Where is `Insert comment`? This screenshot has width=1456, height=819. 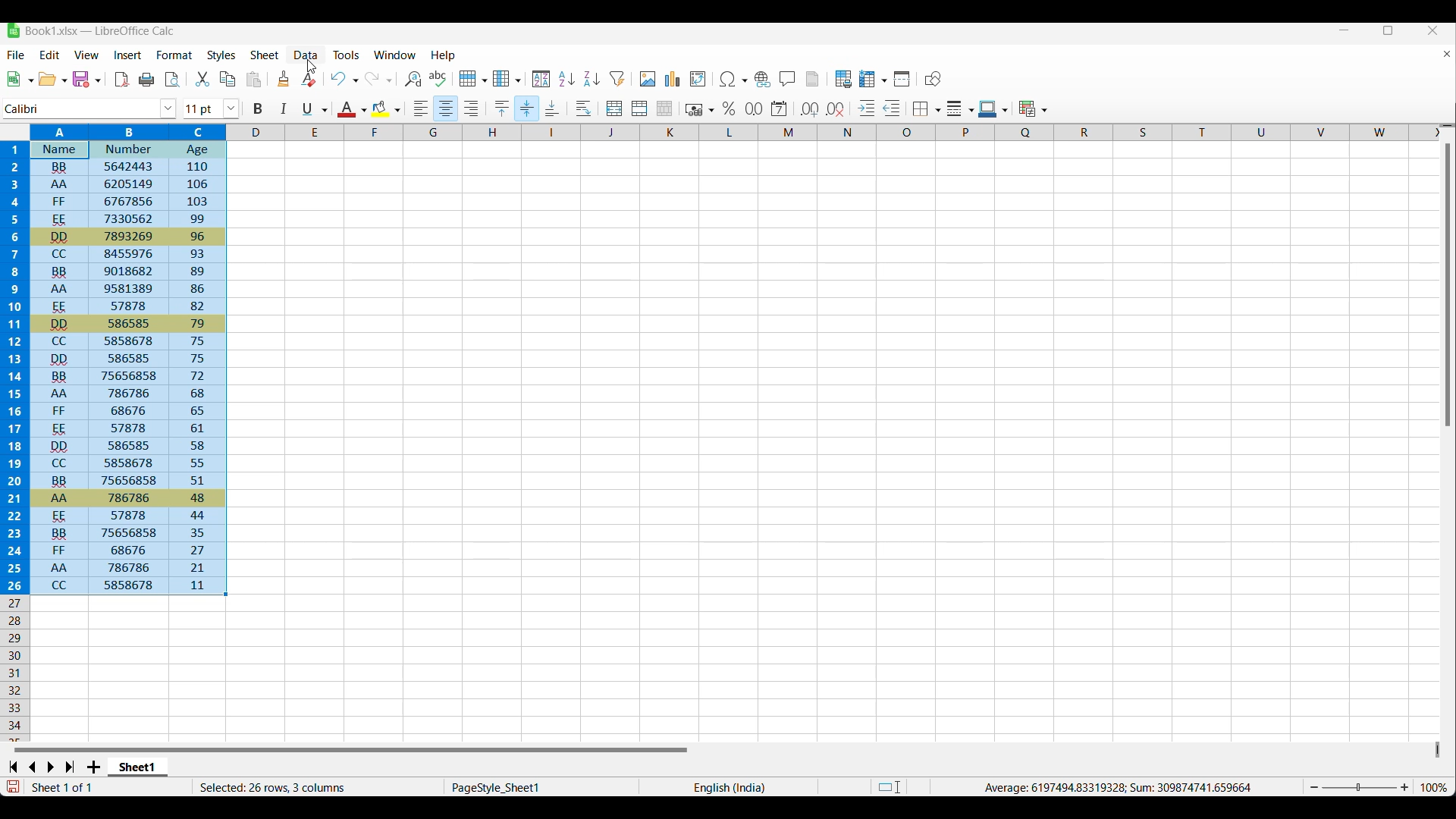 Insert comment is located at coordinates (788, 78).